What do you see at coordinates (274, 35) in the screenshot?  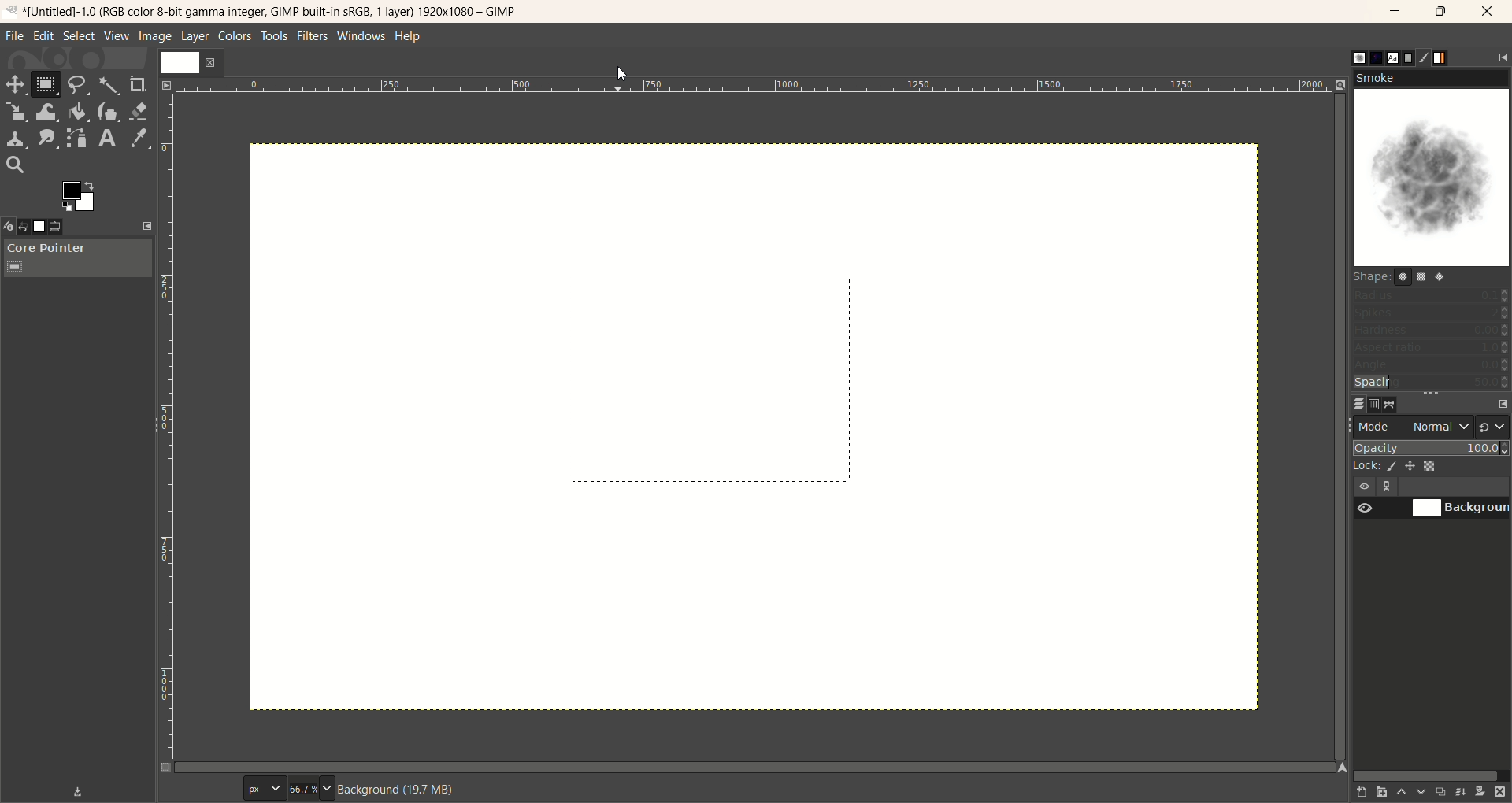 I see `tools` at bounding box center [274, 35].